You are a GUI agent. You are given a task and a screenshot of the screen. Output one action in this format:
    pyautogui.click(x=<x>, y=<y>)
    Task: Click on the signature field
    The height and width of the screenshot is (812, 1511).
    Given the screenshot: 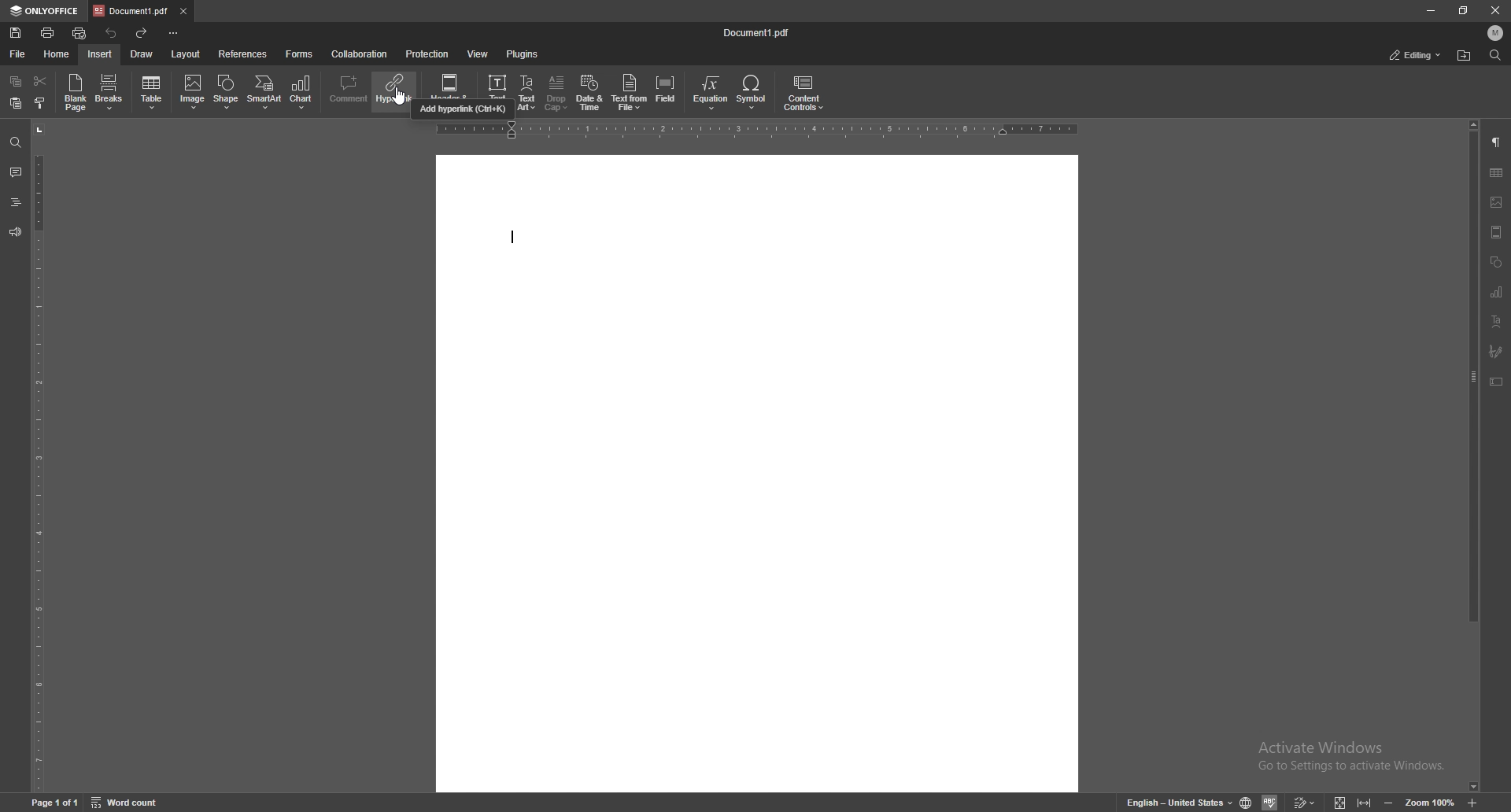 What is the action you would take?
    pyautogui.click(x=1496, y=352)
    